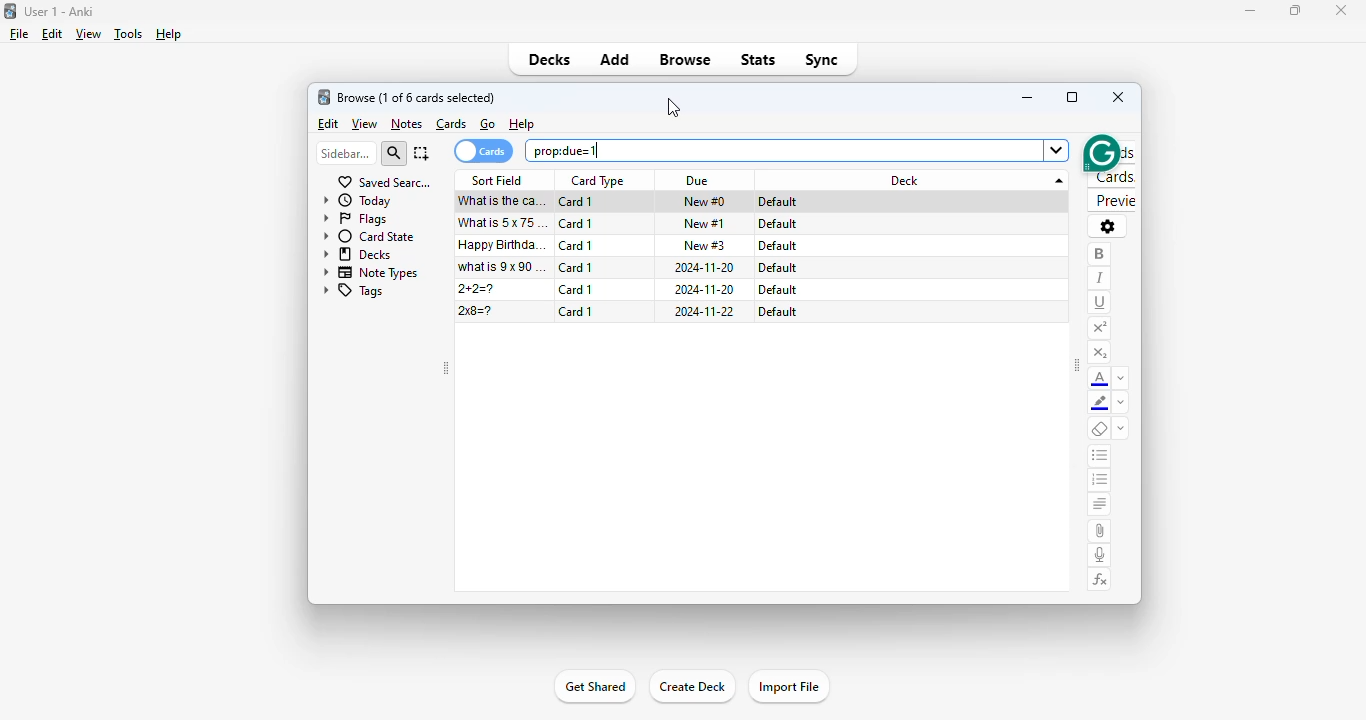 The width and height of the screenshot is (1366, 720). I want to click on "prop:due=1" typed and entered, so click(563, 150).